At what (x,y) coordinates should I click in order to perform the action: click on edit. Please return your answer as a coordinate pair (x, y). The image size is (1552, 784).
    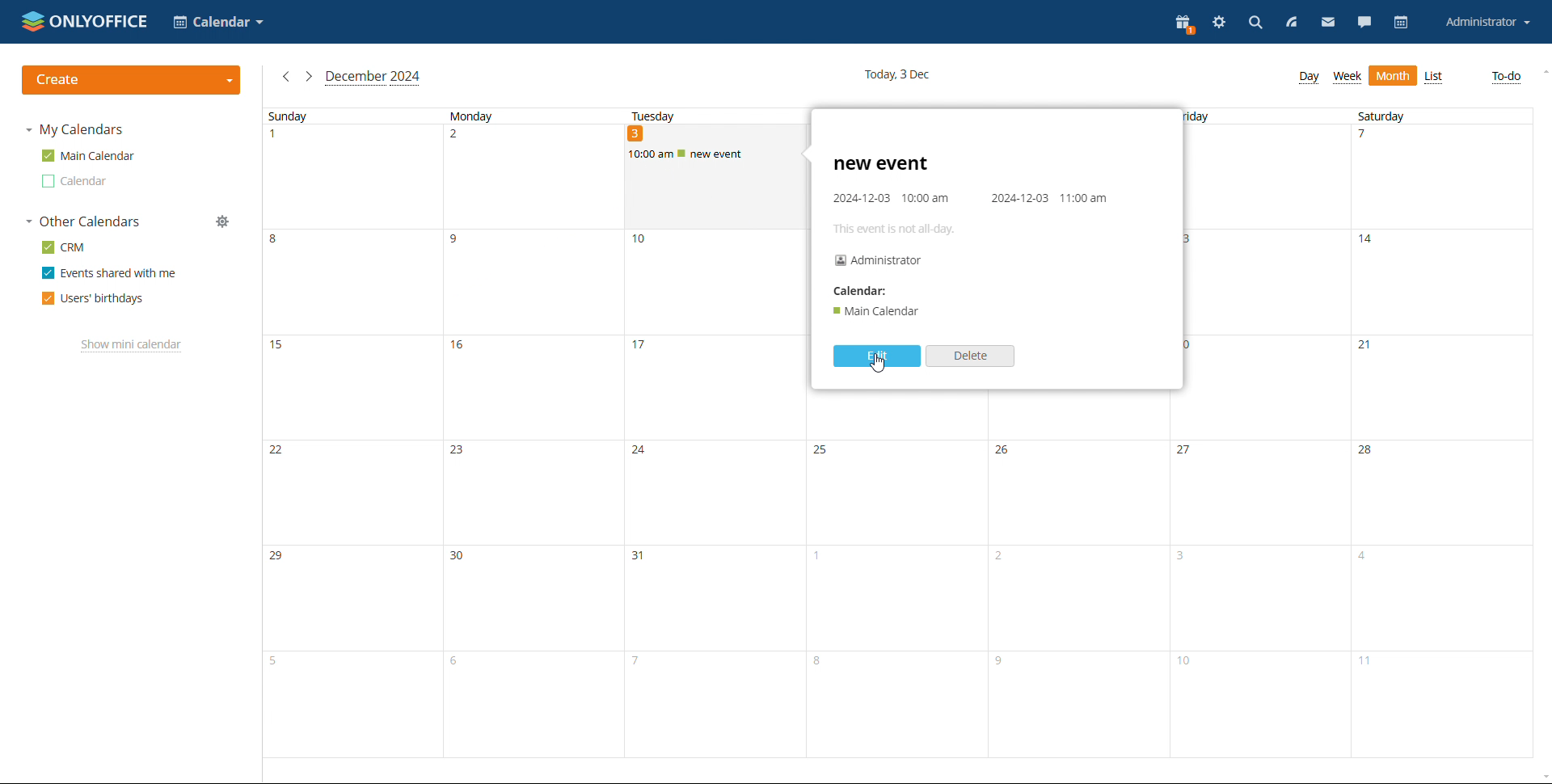
    Looking at the image, I should click on (876, 356).